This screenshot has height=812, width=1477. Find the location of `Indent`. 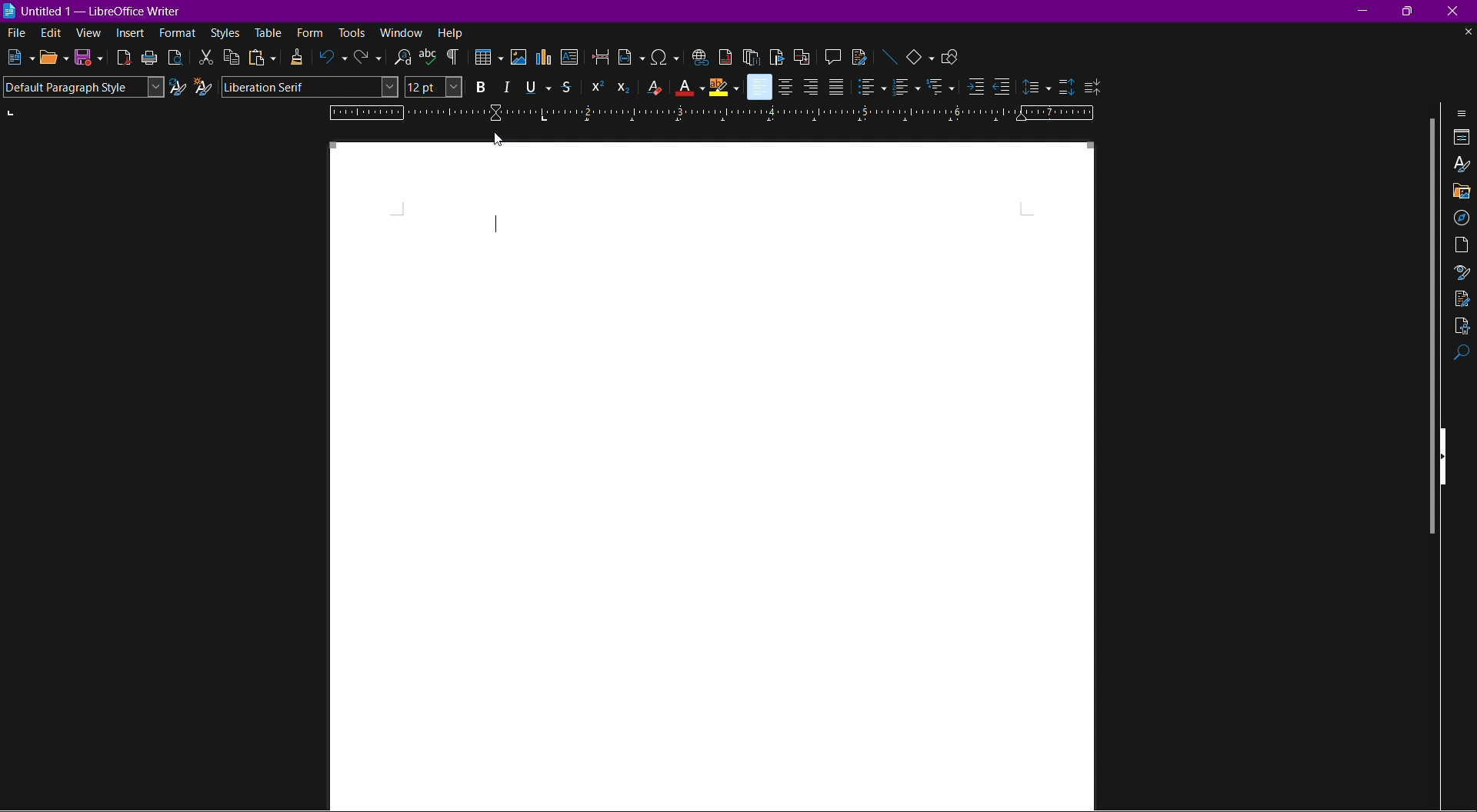

Indent is located at coordinates (453, 58).